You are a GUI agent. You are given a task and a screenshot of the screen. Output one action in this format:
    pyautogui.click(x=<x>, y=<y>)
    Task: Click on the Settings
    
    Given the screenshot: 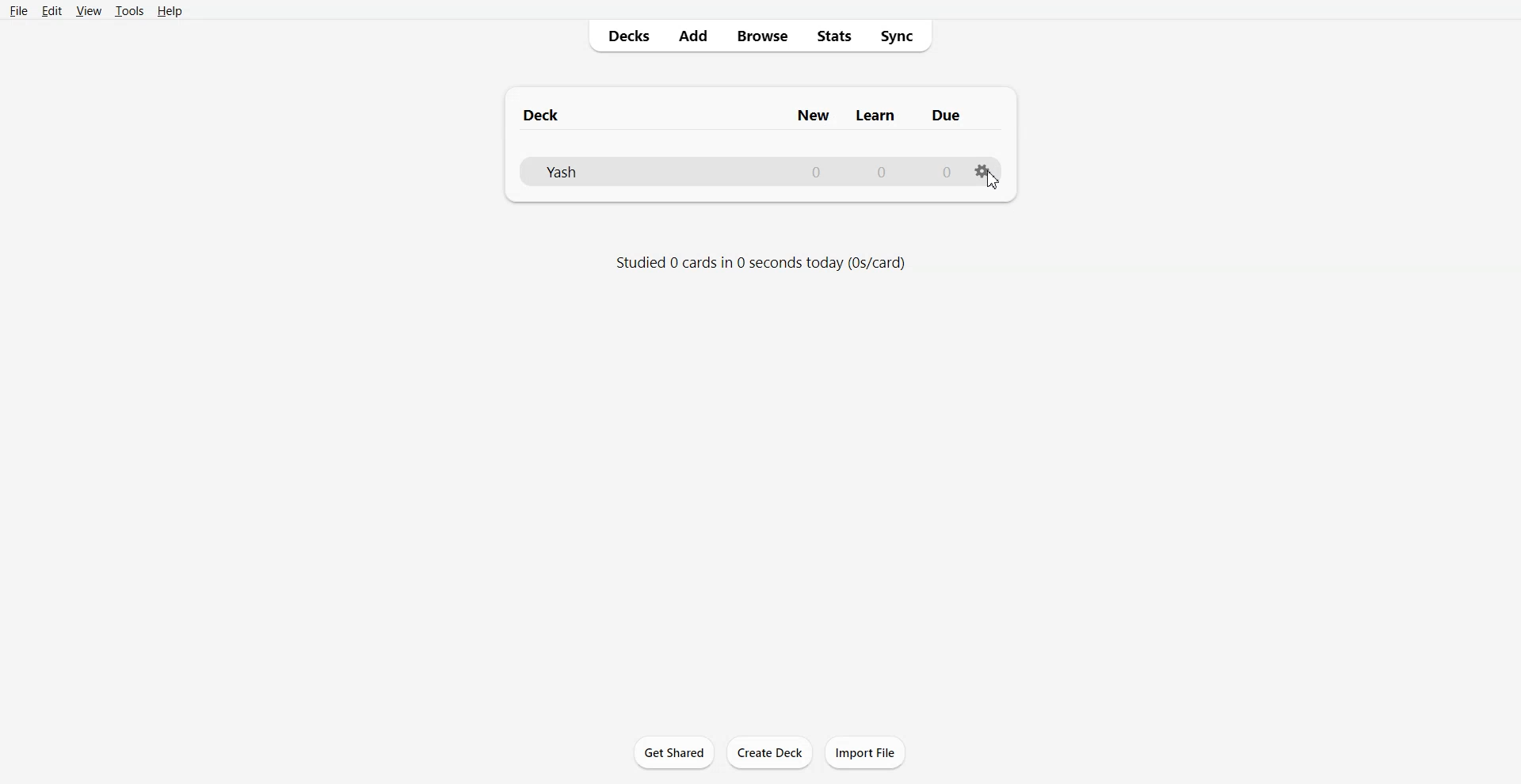 What is the action you would take?
    pyautogui.click(x=987, y=177)
    